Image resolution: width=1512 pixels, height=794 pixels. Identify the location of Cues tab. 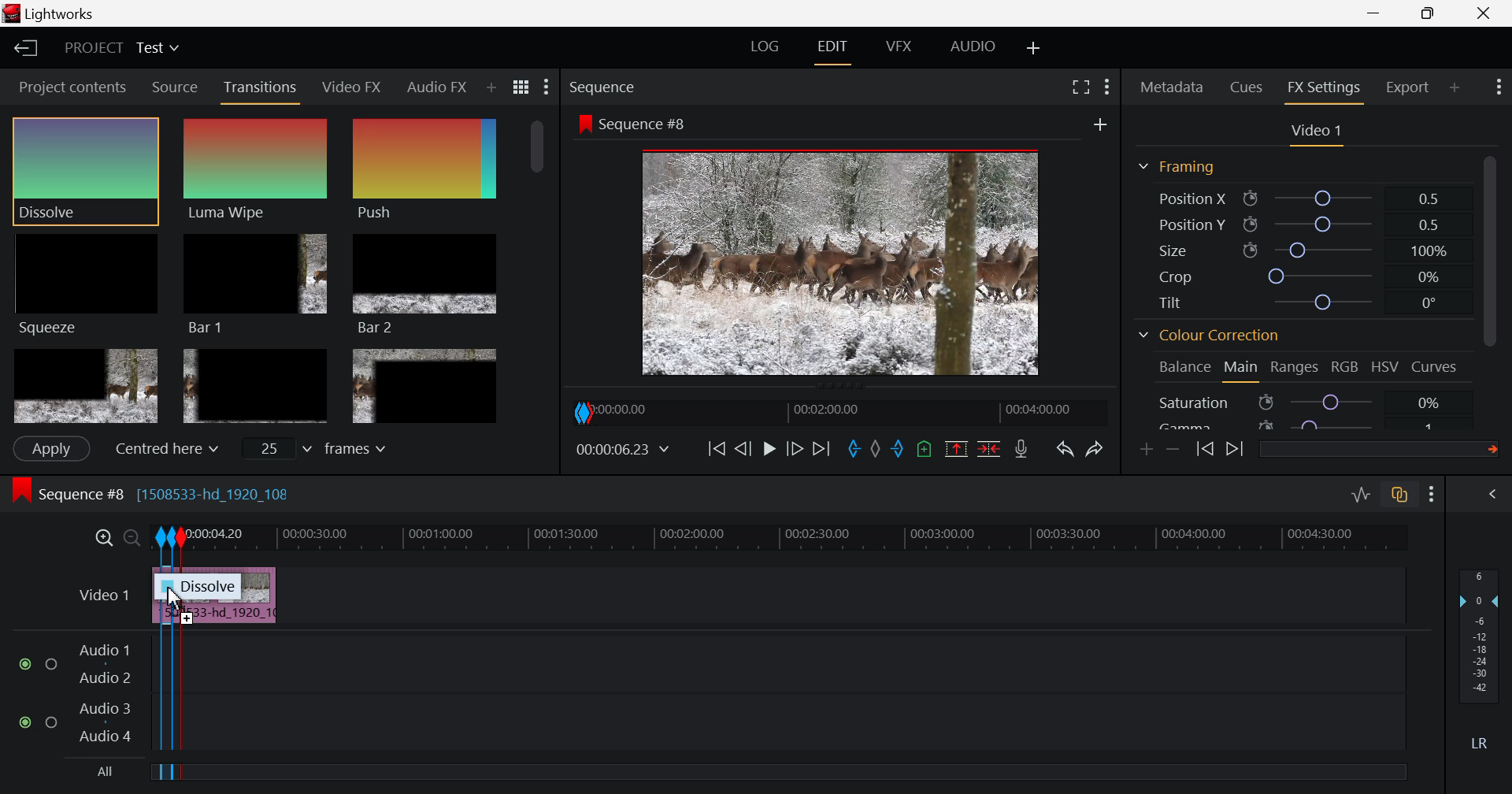
(1247, 86).